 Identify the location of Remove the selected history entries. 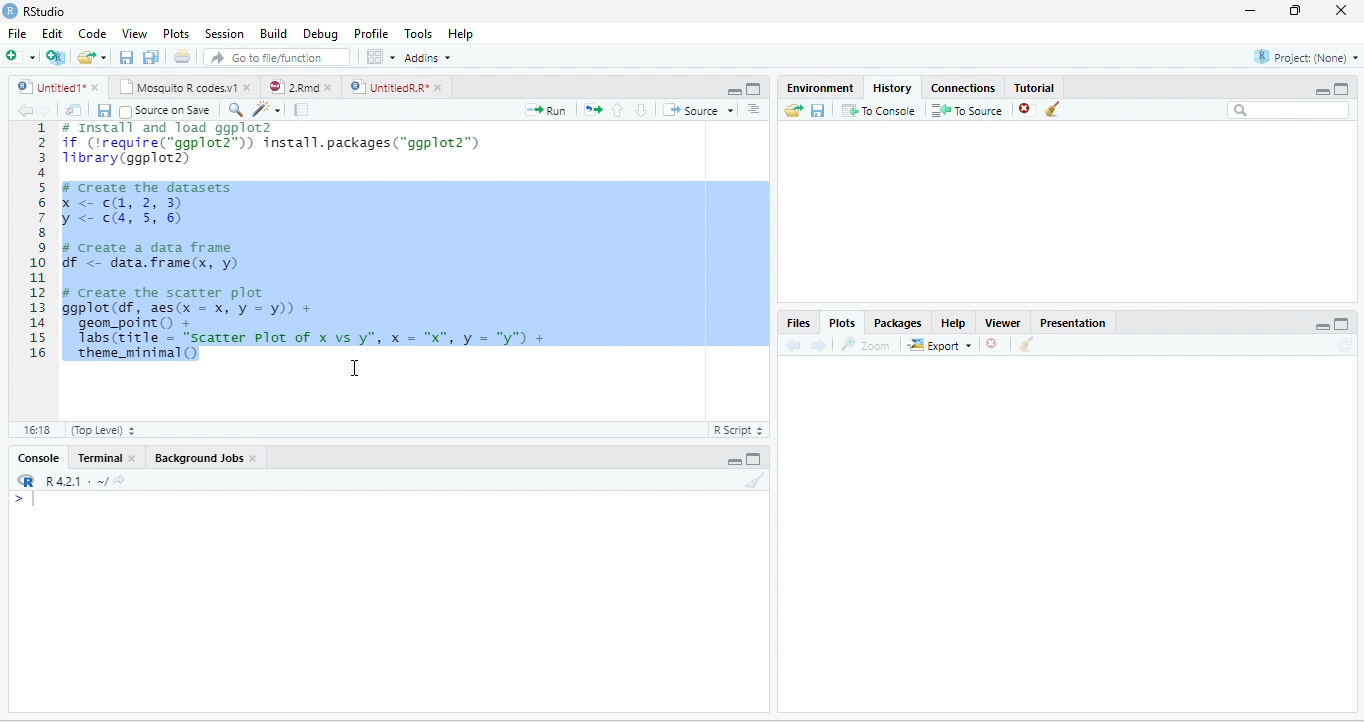
(1027, 110).